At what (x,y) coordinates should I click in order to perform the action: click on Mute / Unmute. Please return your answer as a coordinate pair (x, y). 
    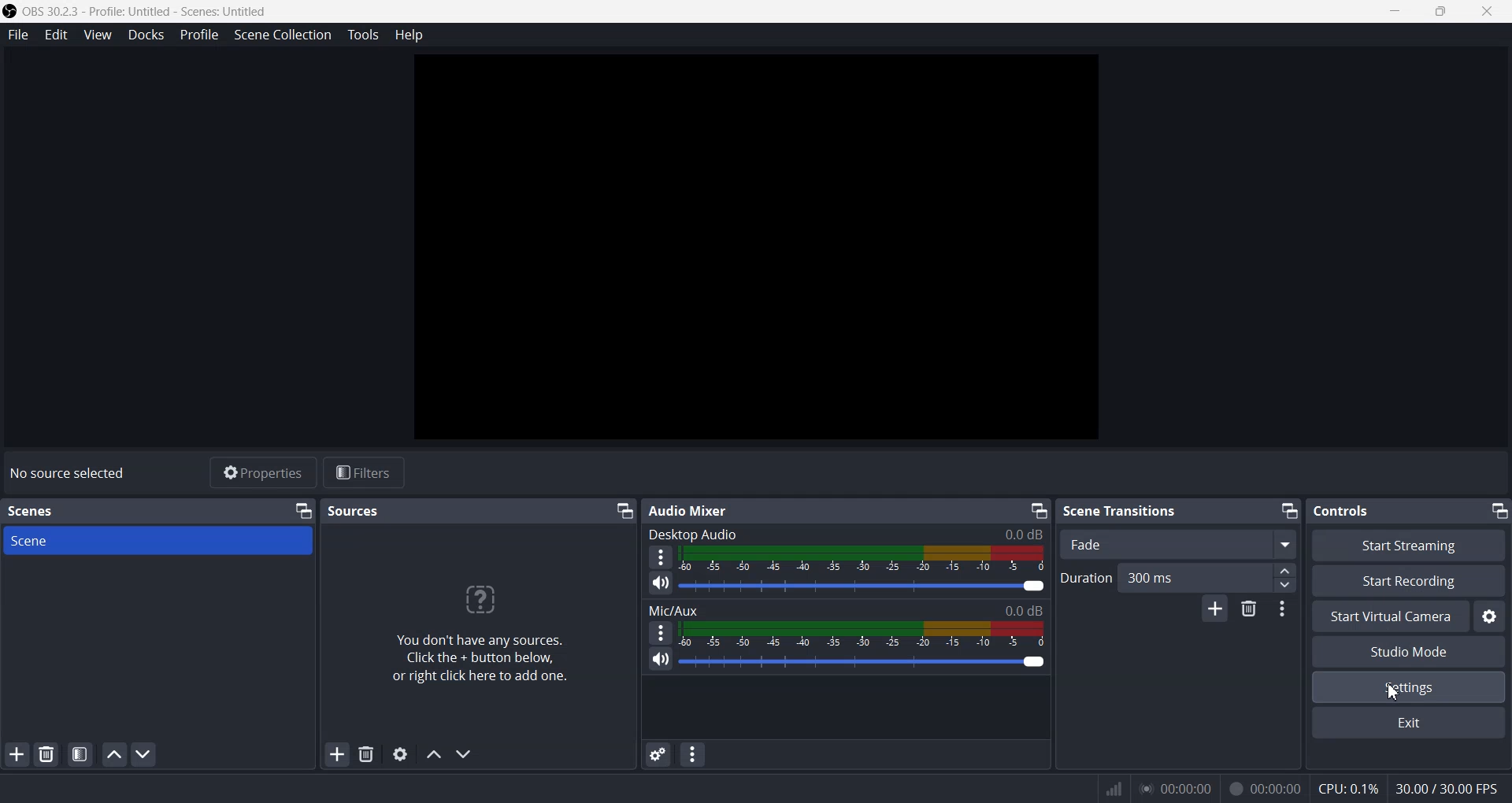
    Looking at the image, I should click on (660, 660).